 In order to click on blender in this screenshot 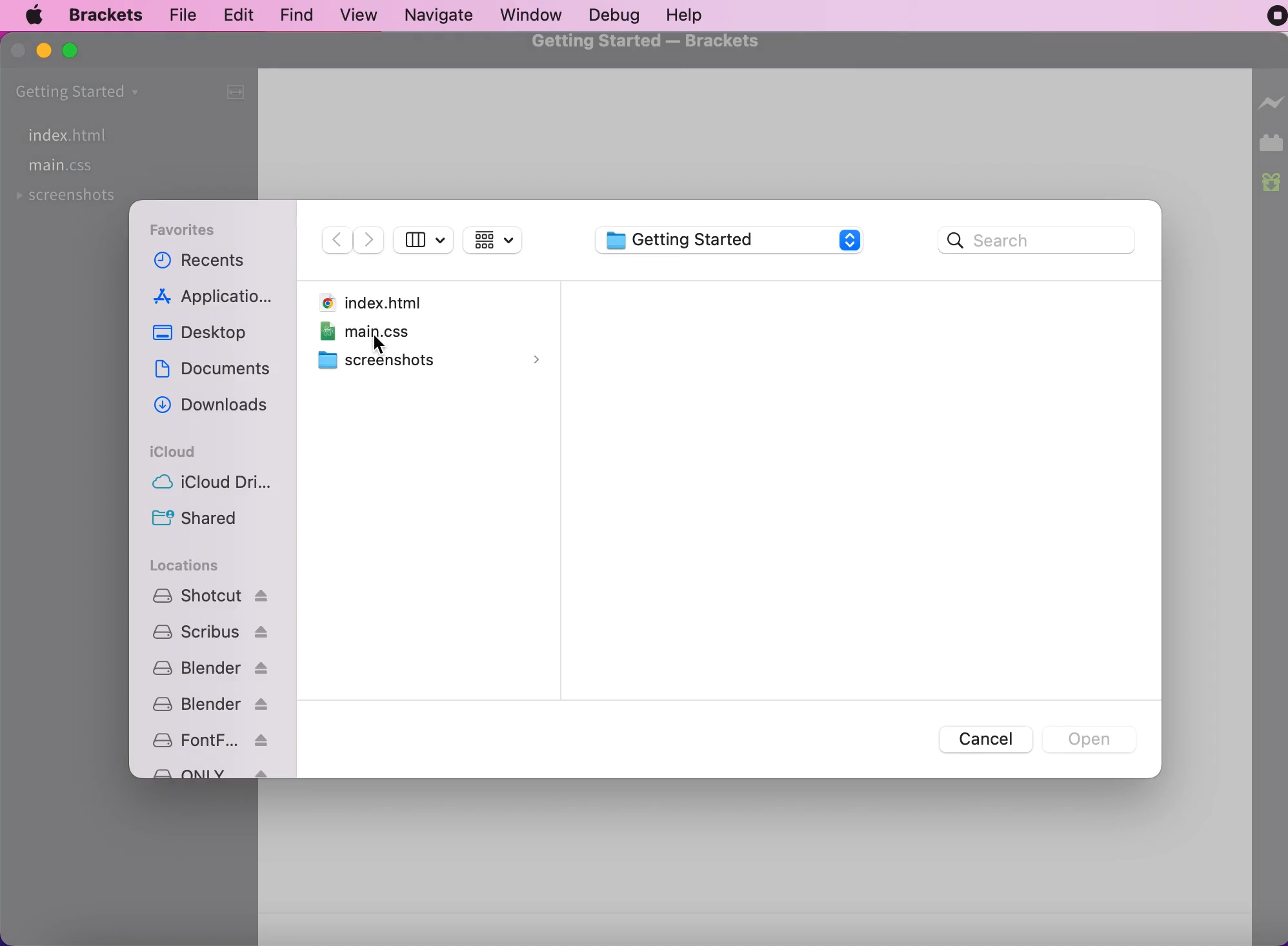, I will do `click(210, 668)`.